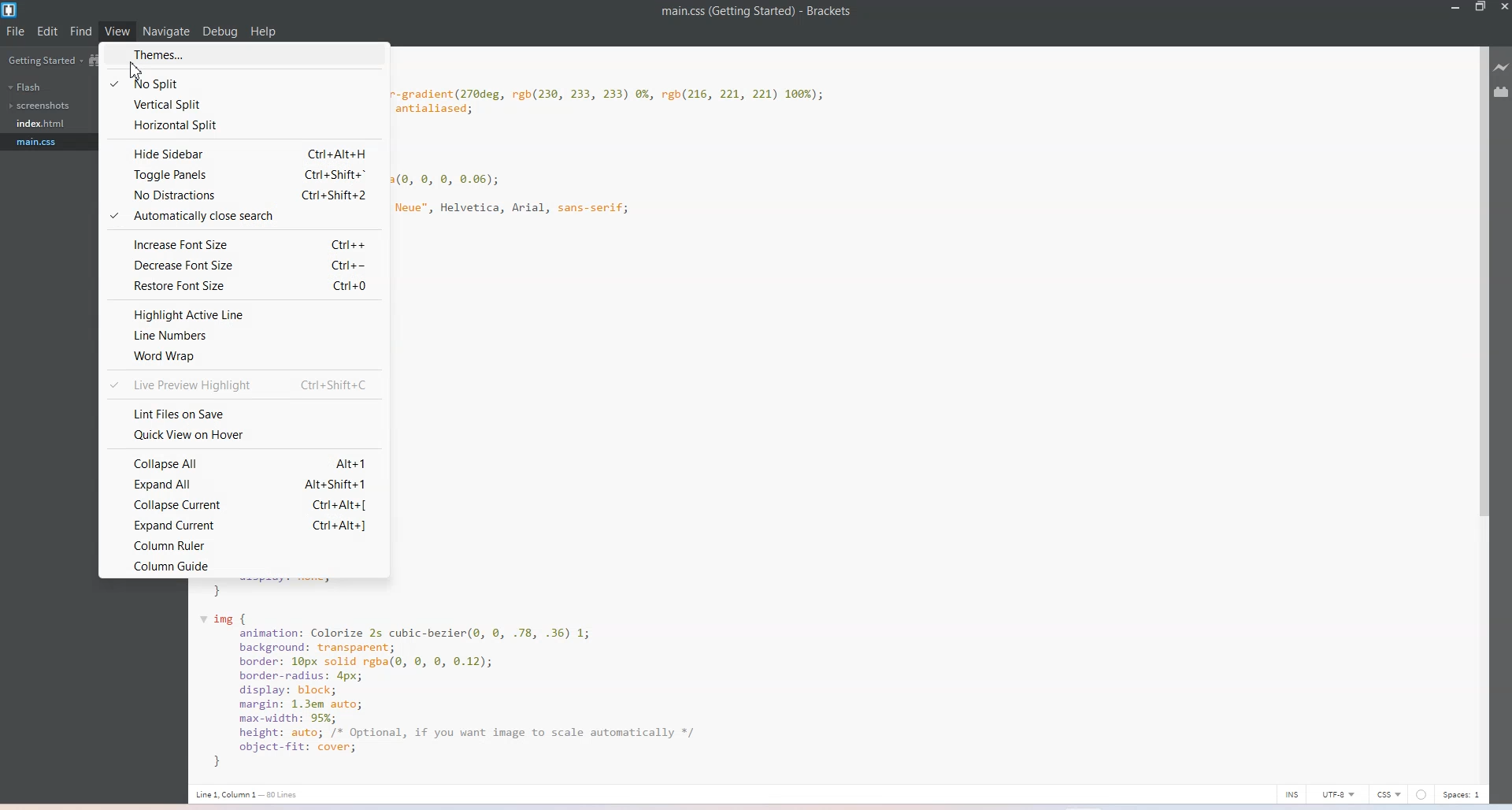  Describe the element at coordinates (146, 72) in the screenshot. I see `cursor` at that location.